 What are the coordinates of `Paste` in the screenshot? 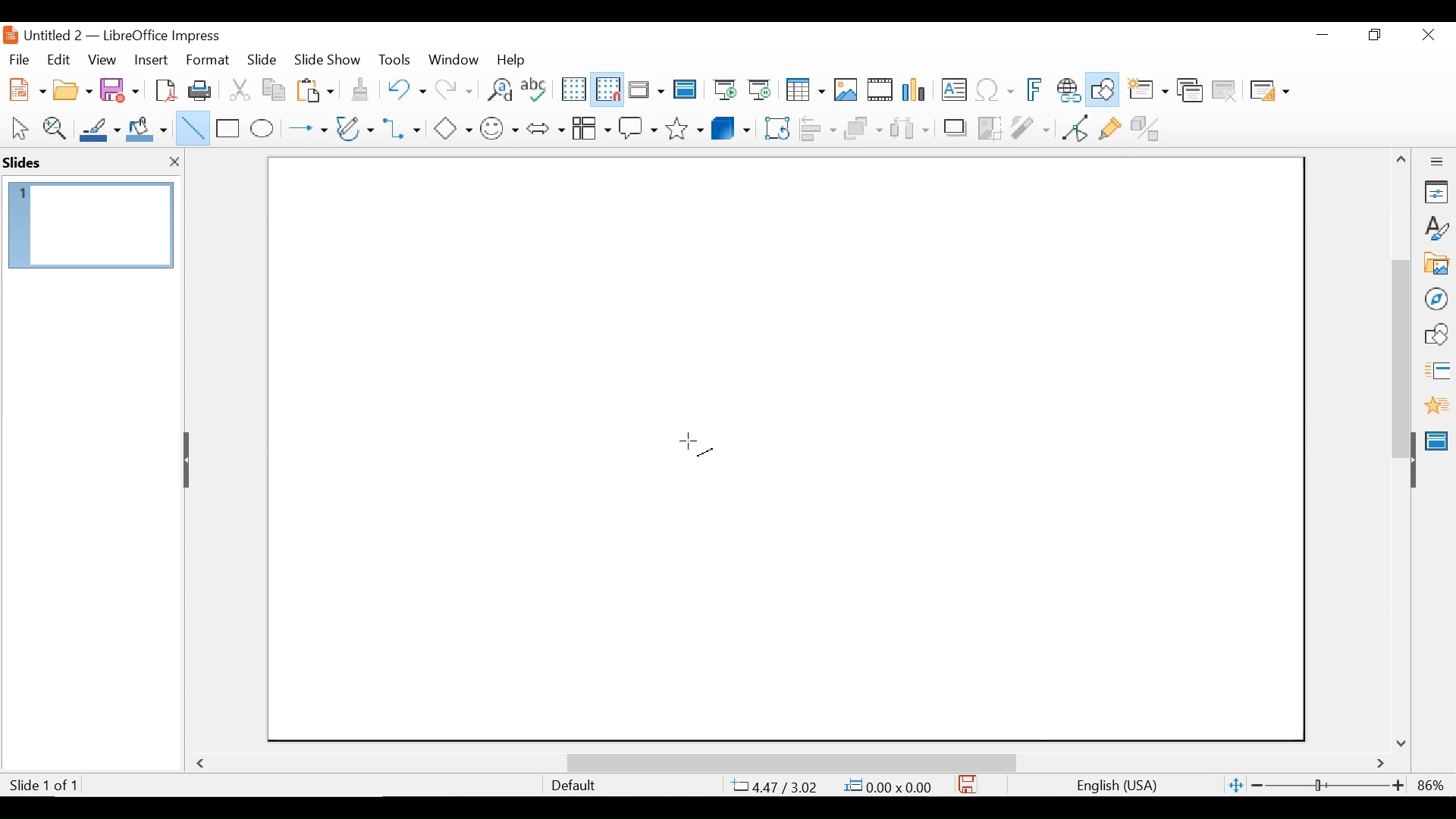 It's located at (319, 89).